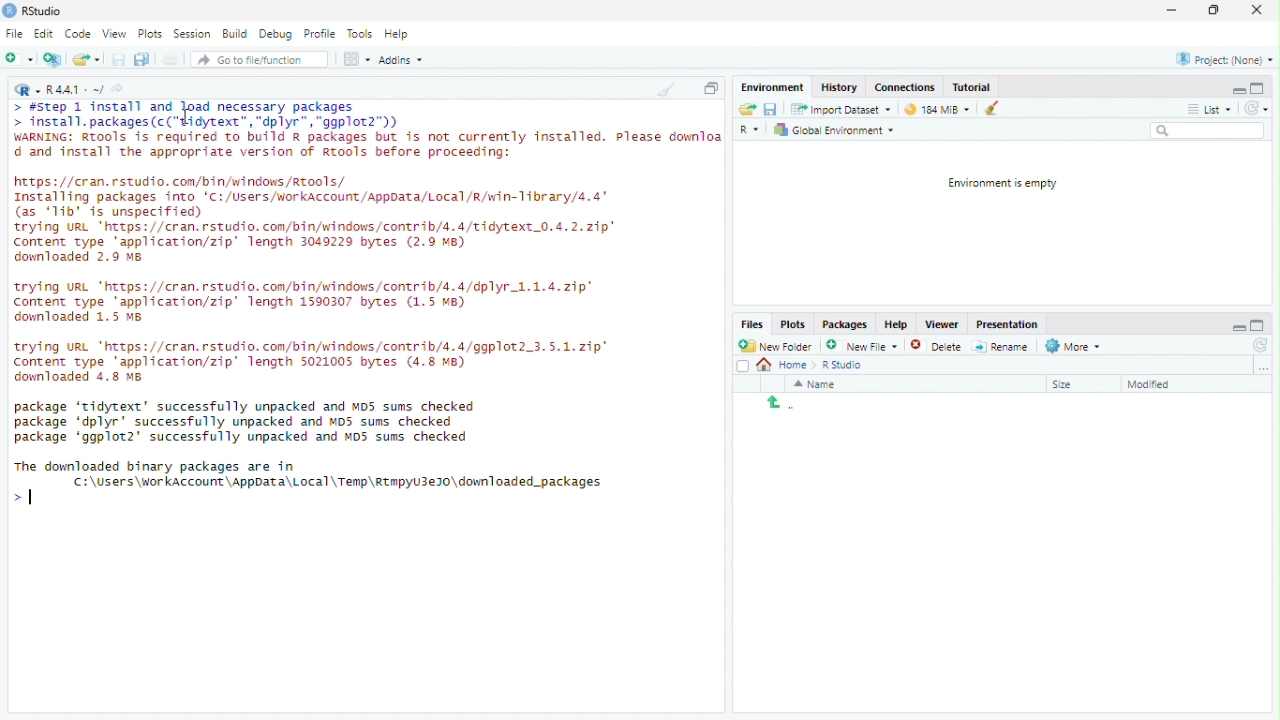 This screenshot has height=720, width=1280. I want to click on Edit, so click(44, 34).